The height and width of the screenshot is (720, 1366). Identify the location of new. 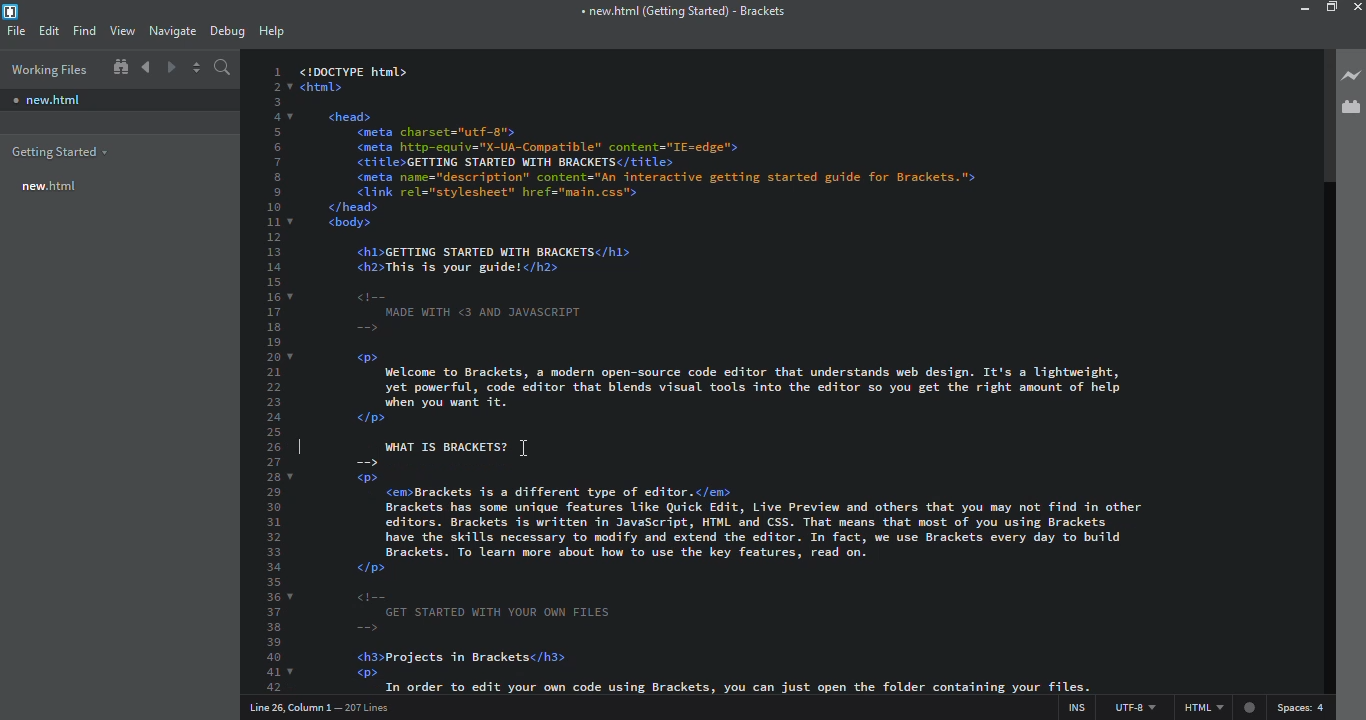
(48, 97).